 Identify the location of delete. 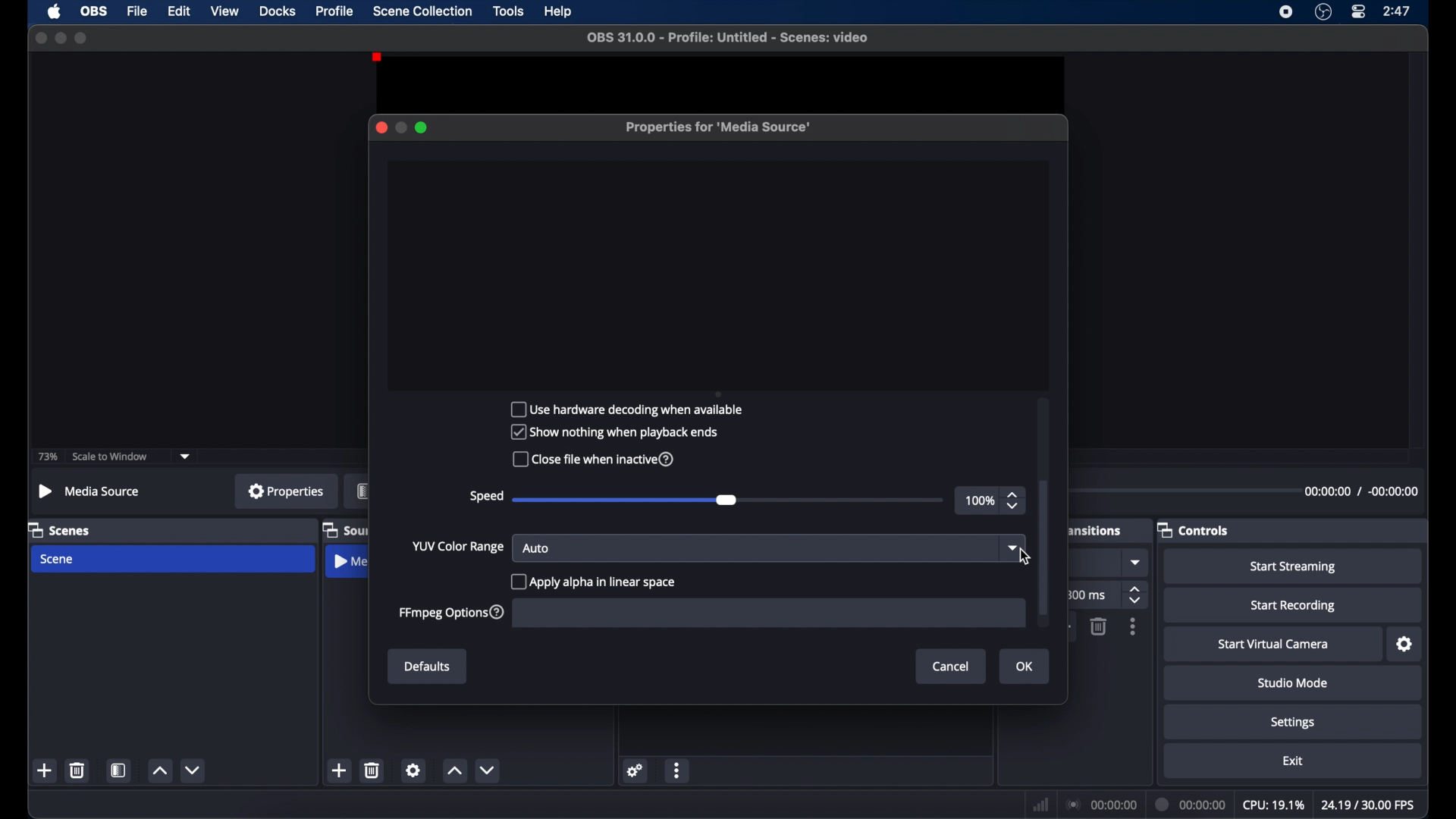
(372, 770).